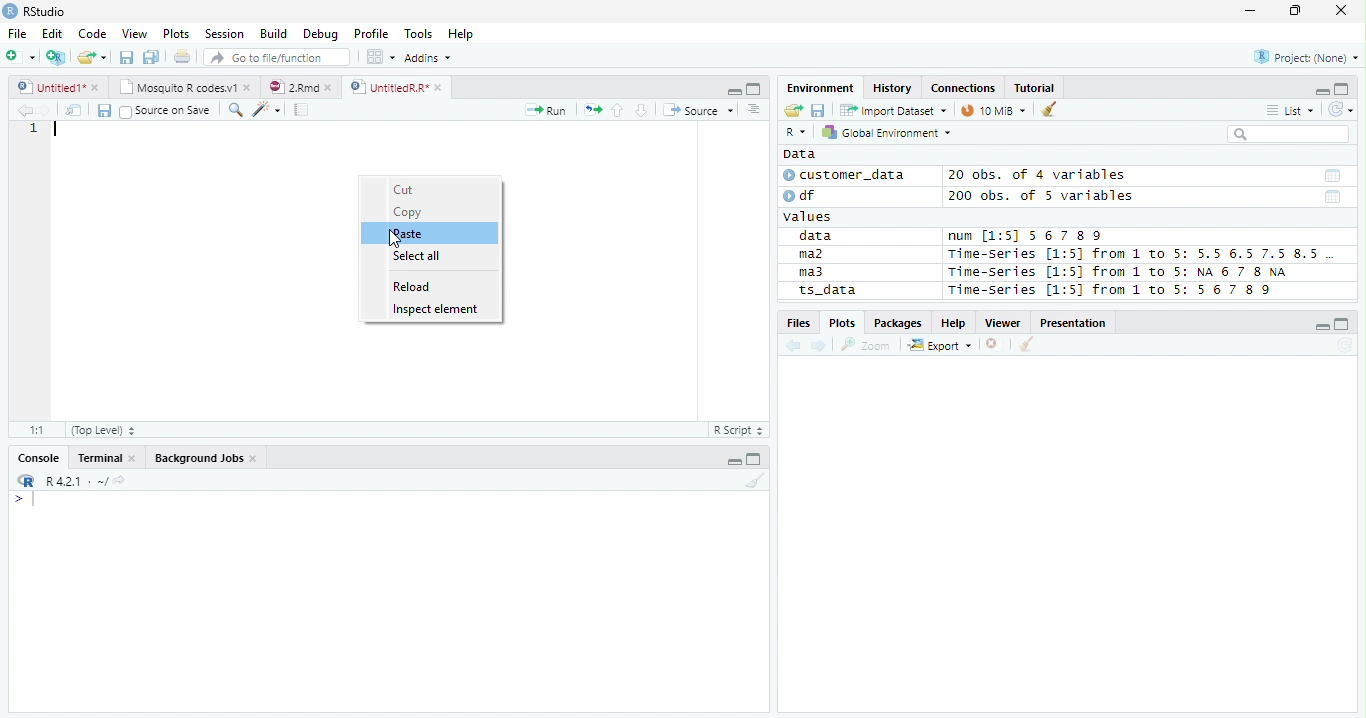 The height and width of the screenshot is (718, 1366). What do you see at coordinates (732, 90) in the screenshot?
I see `Minimize` at bounding box center [732, 90].